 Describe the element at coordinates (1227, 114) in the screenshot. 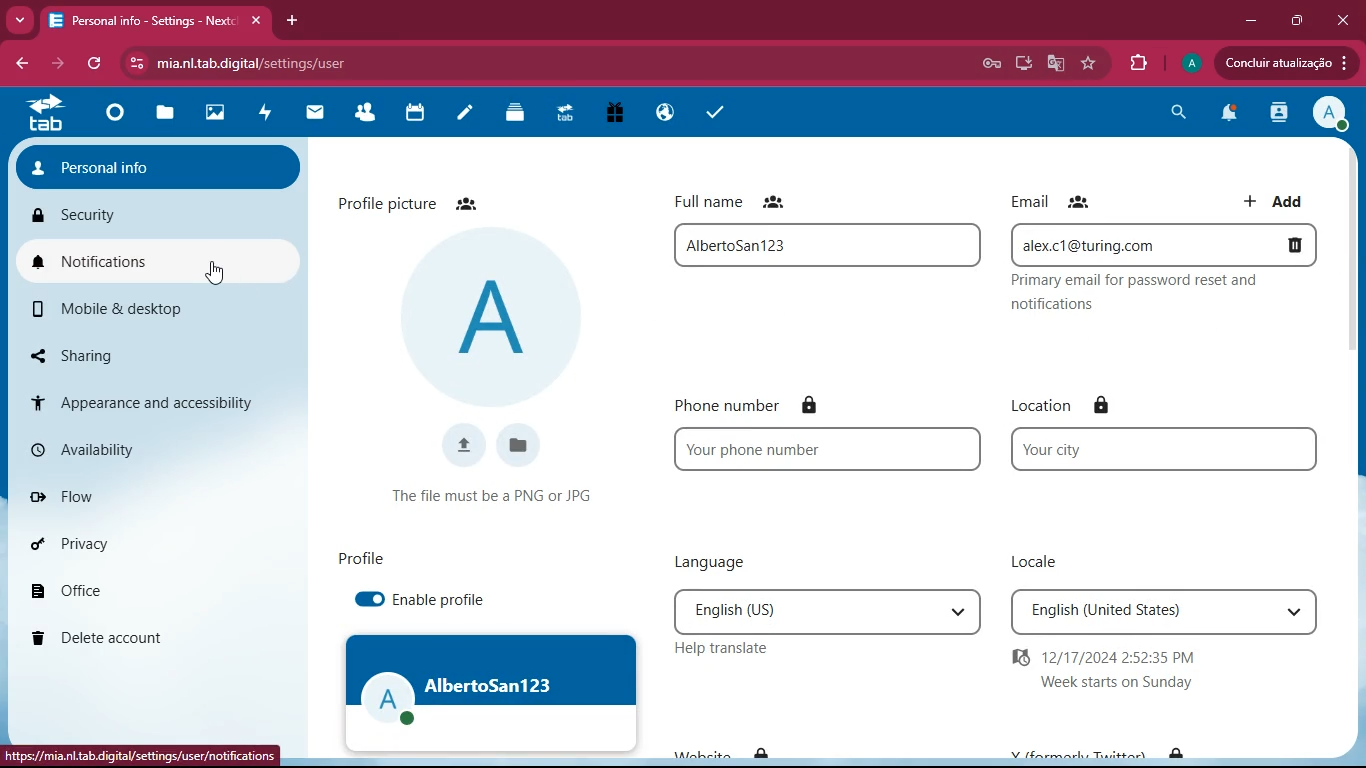

I see `notifications` at that location.